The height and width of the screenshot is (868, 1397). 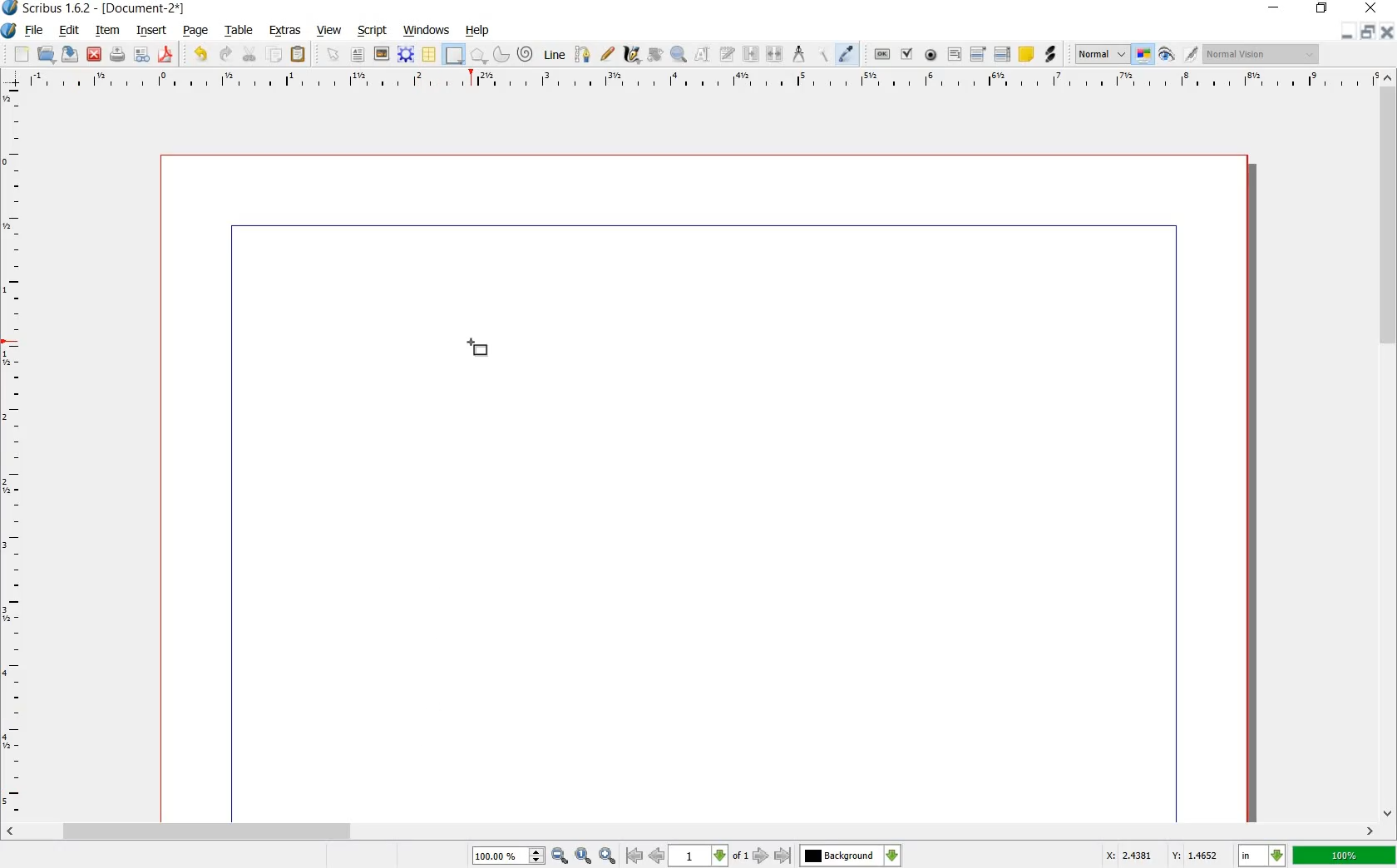 I want to click on select the current layer, so click(x=851, y=856).